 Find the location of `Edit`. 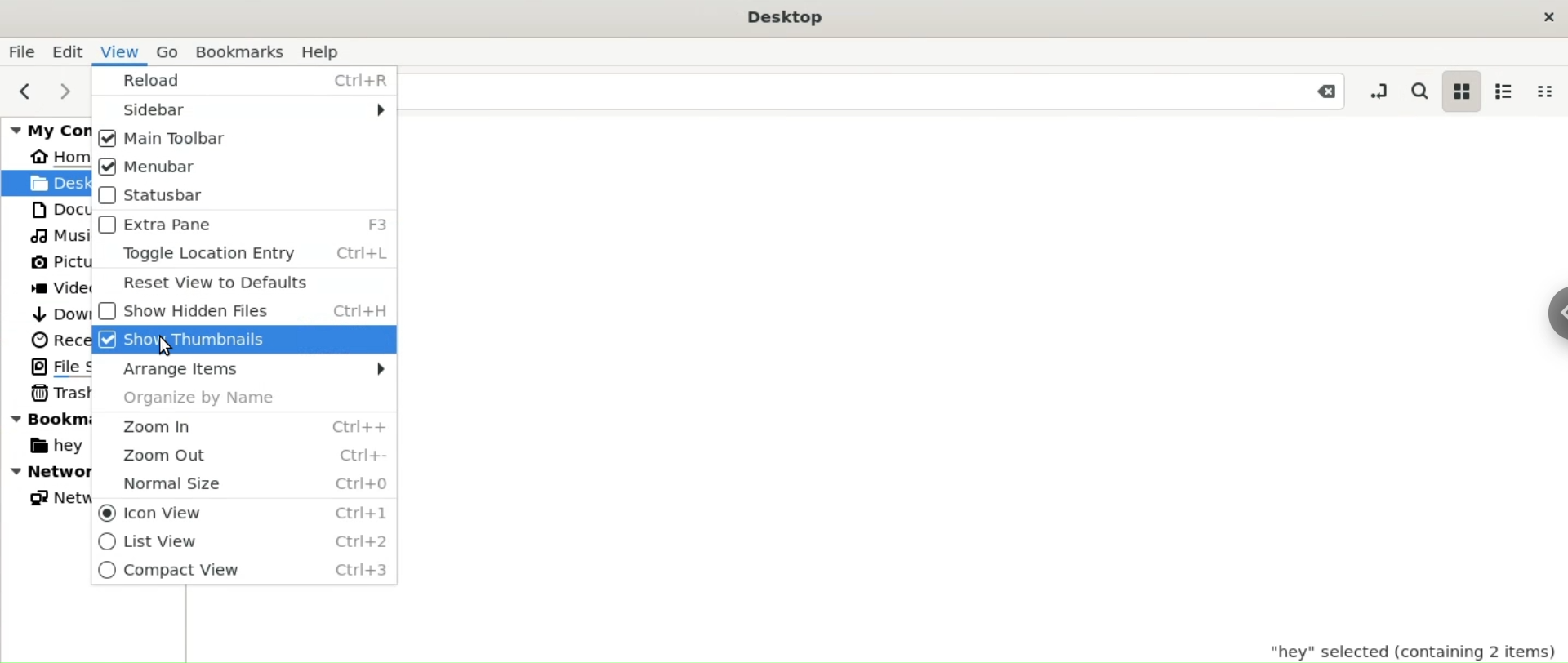

Edit is located at coordinates (69, 51).